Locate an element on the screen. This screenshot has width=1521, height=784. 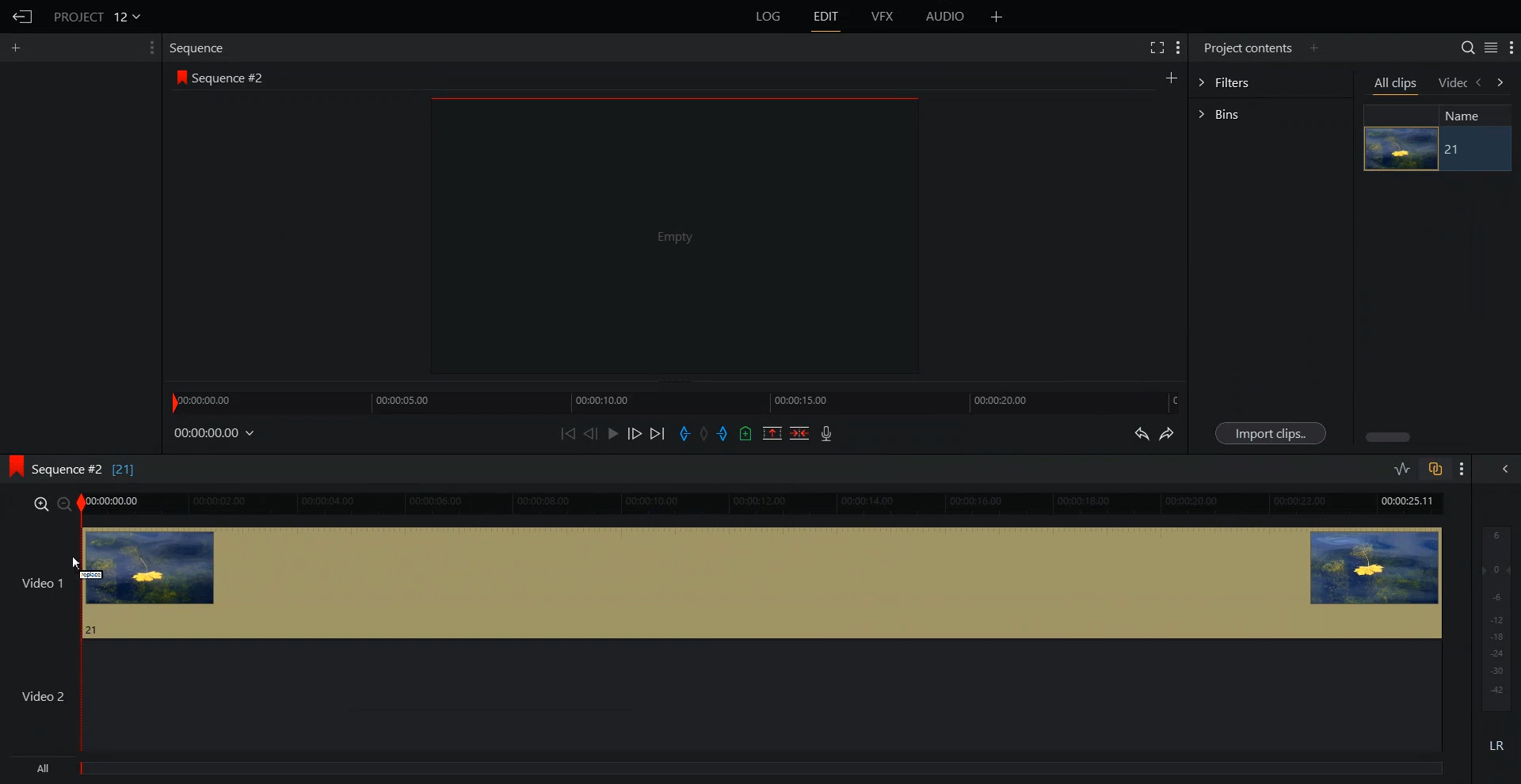
Filters is located at coordinates (1270, 81).